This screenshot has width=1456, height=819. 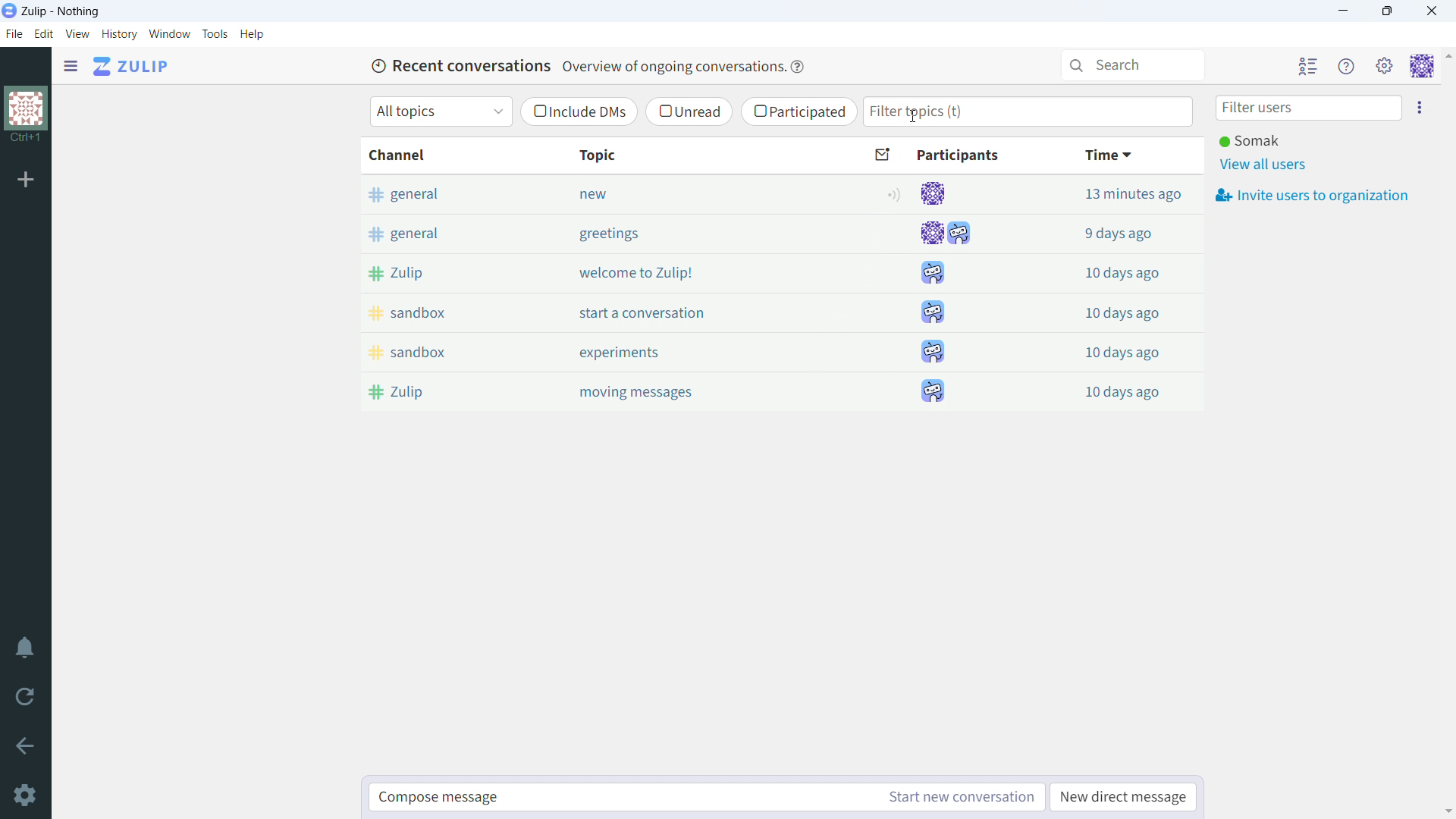 I want to click on invite users, so click(x=1312, y=196).